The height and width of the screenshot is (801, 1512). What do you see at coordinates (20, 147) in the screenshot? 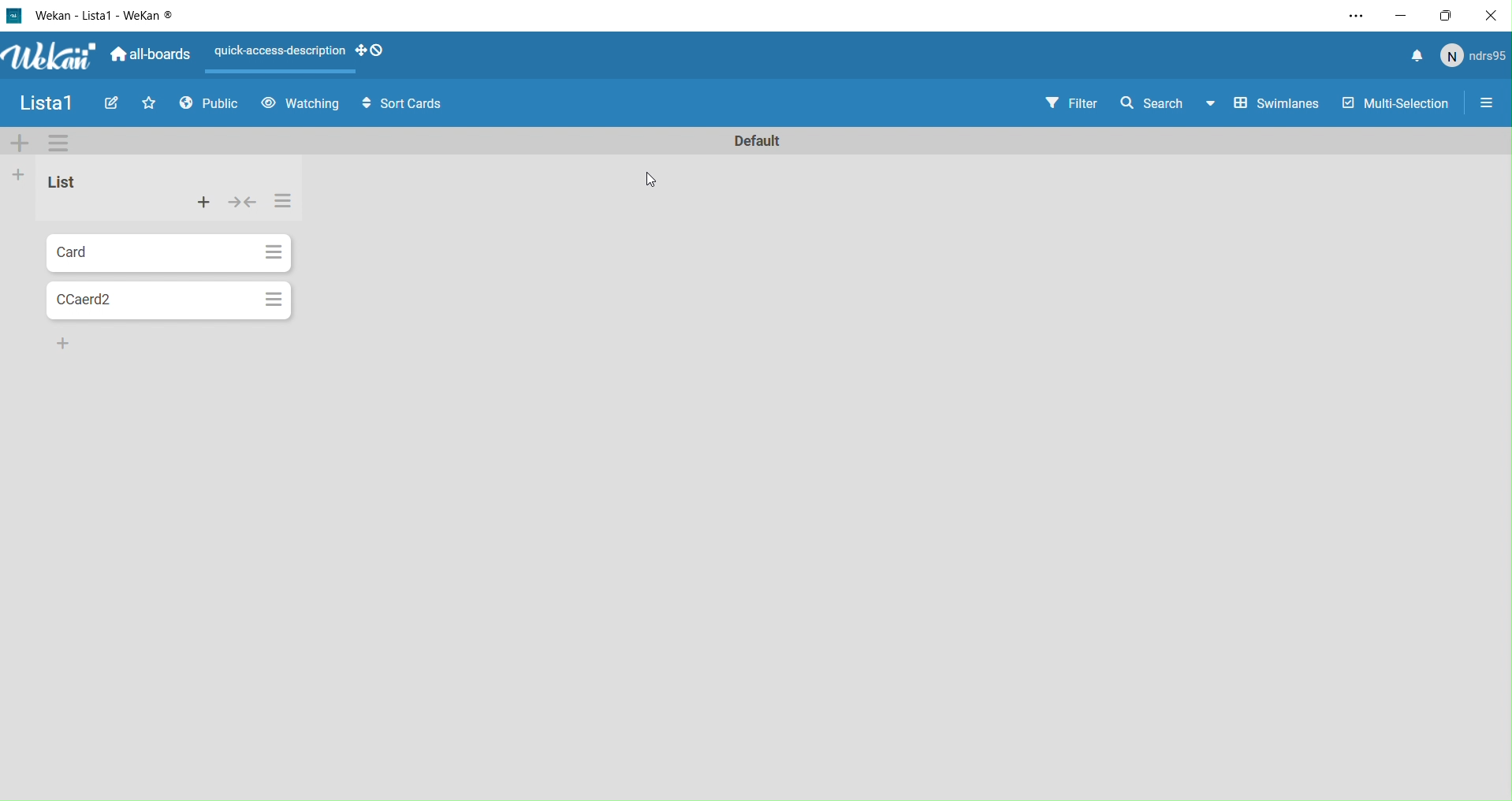
I see `Add` at bounding box center [20, 147].